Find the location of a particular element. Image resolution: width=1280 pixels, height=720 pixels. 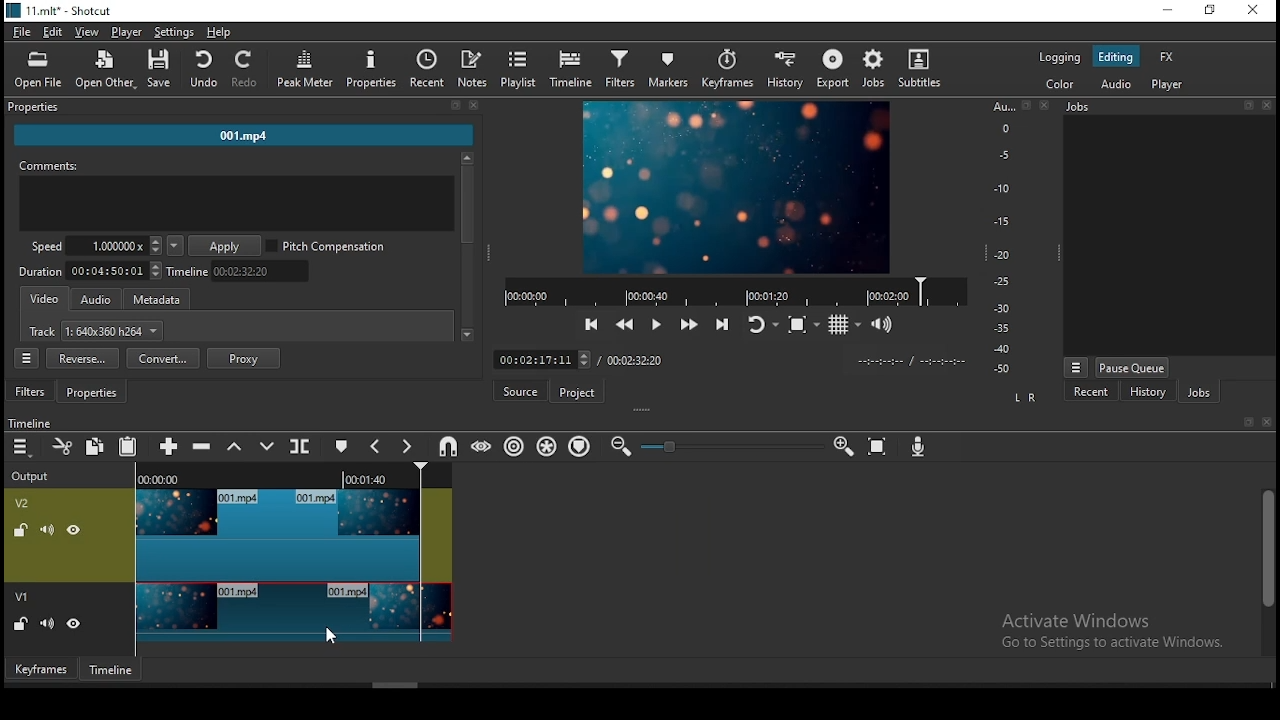

(UN)MUTE is located at coordinates (46, 528).